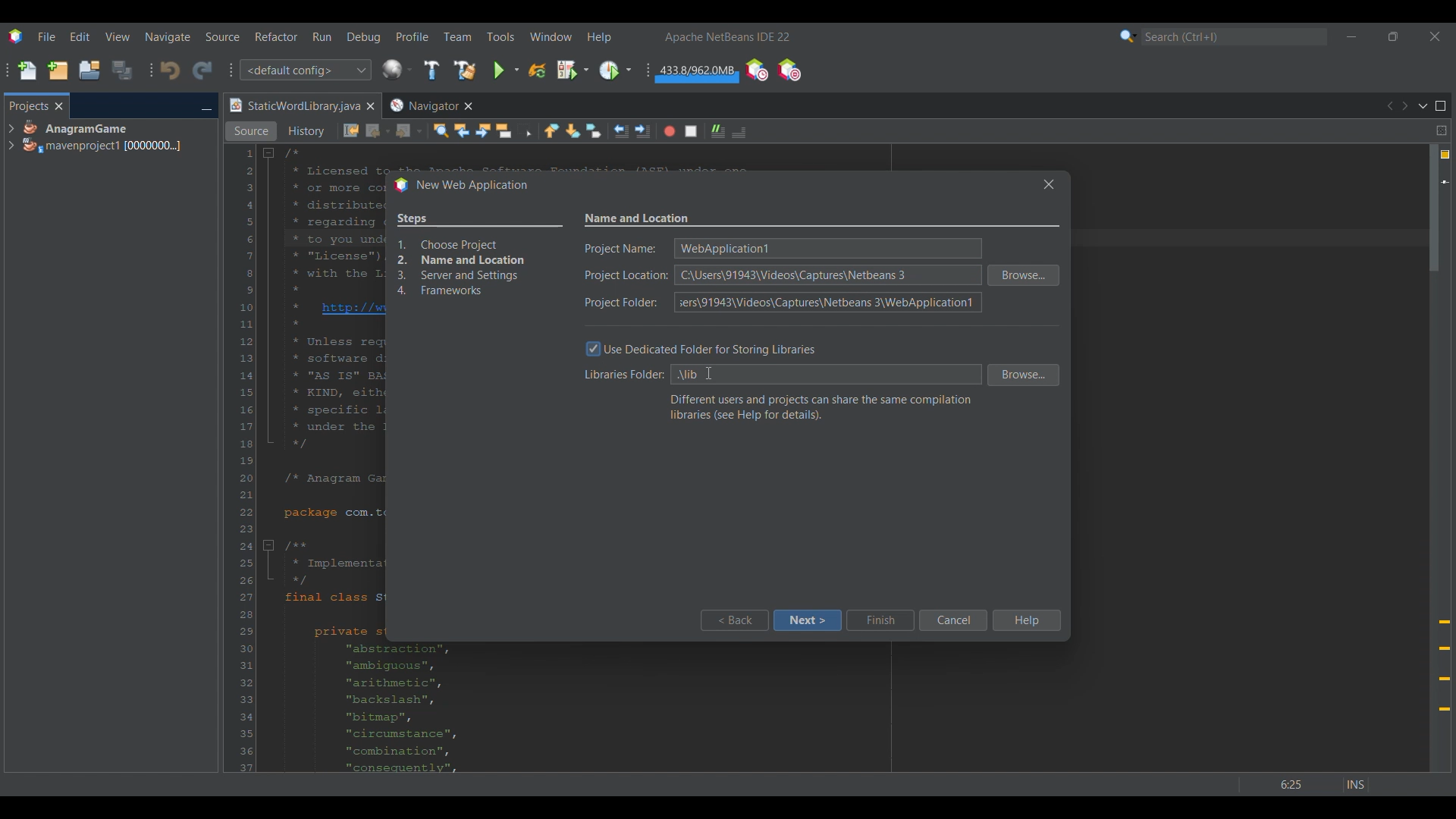  What do you see at coordinates (122, 70) in the screenshot?
I see `Save all` at bounding box center [122, 70].